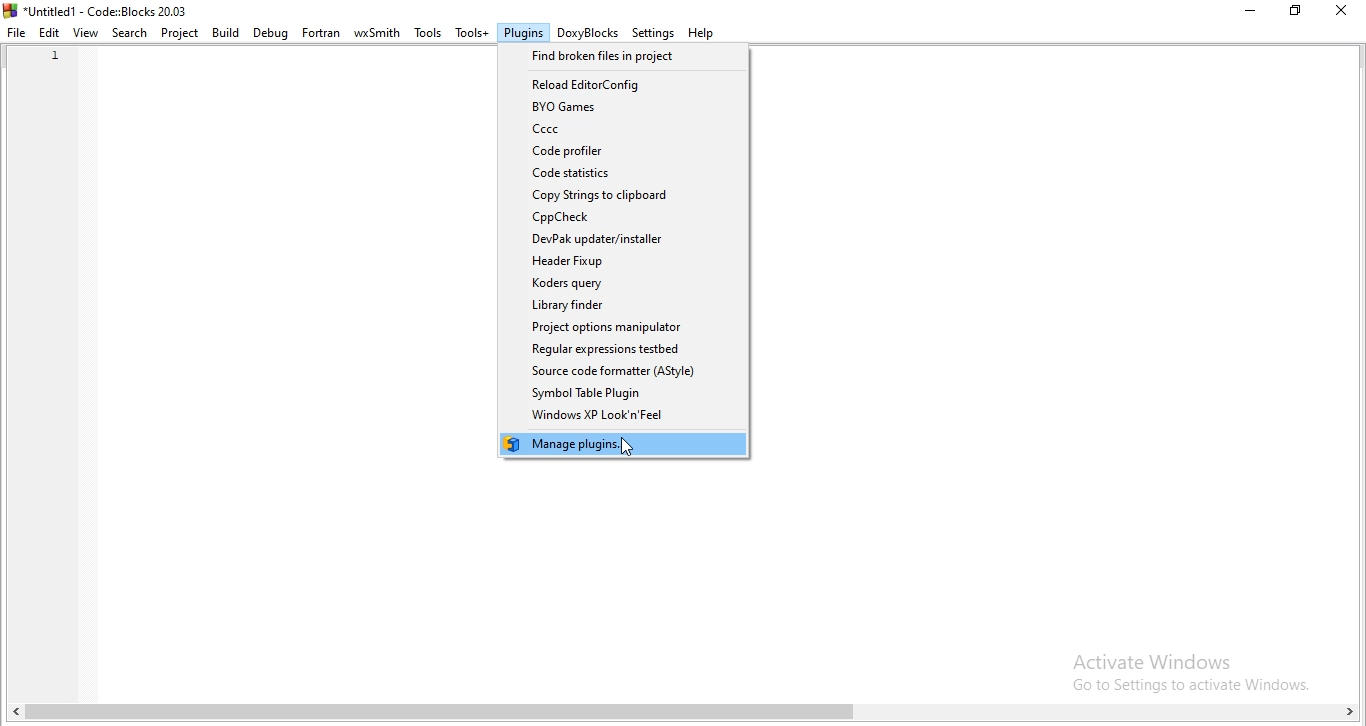 This screenshot has height=726, width=1366. What do you see at coordinates (626, 57) in the screenshot?
I see `Find broken files in project Reload EditorConfig` at bounding box center [626, 57].